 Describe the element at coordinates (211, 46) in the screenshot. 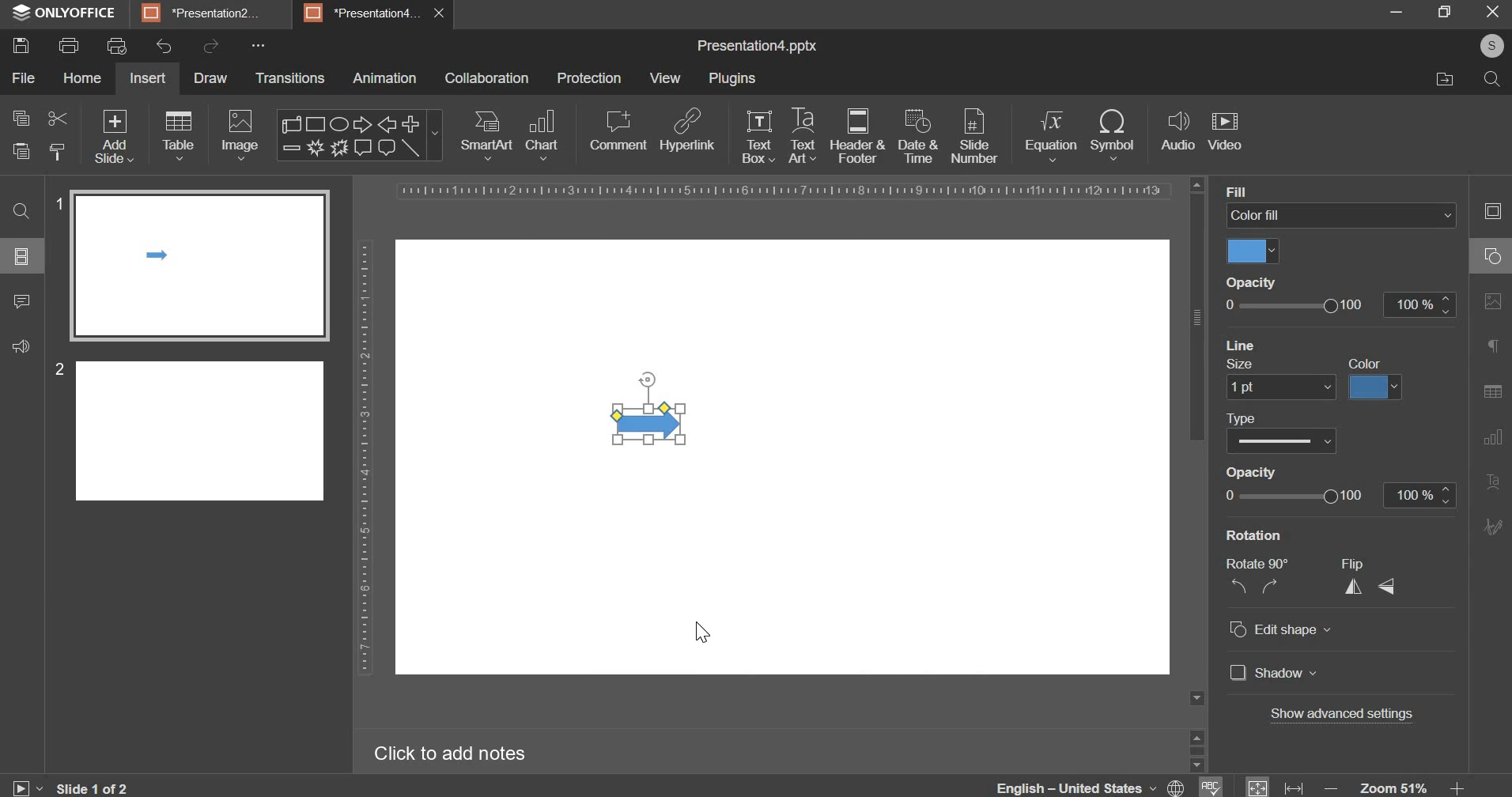

I see `redo` at that location.